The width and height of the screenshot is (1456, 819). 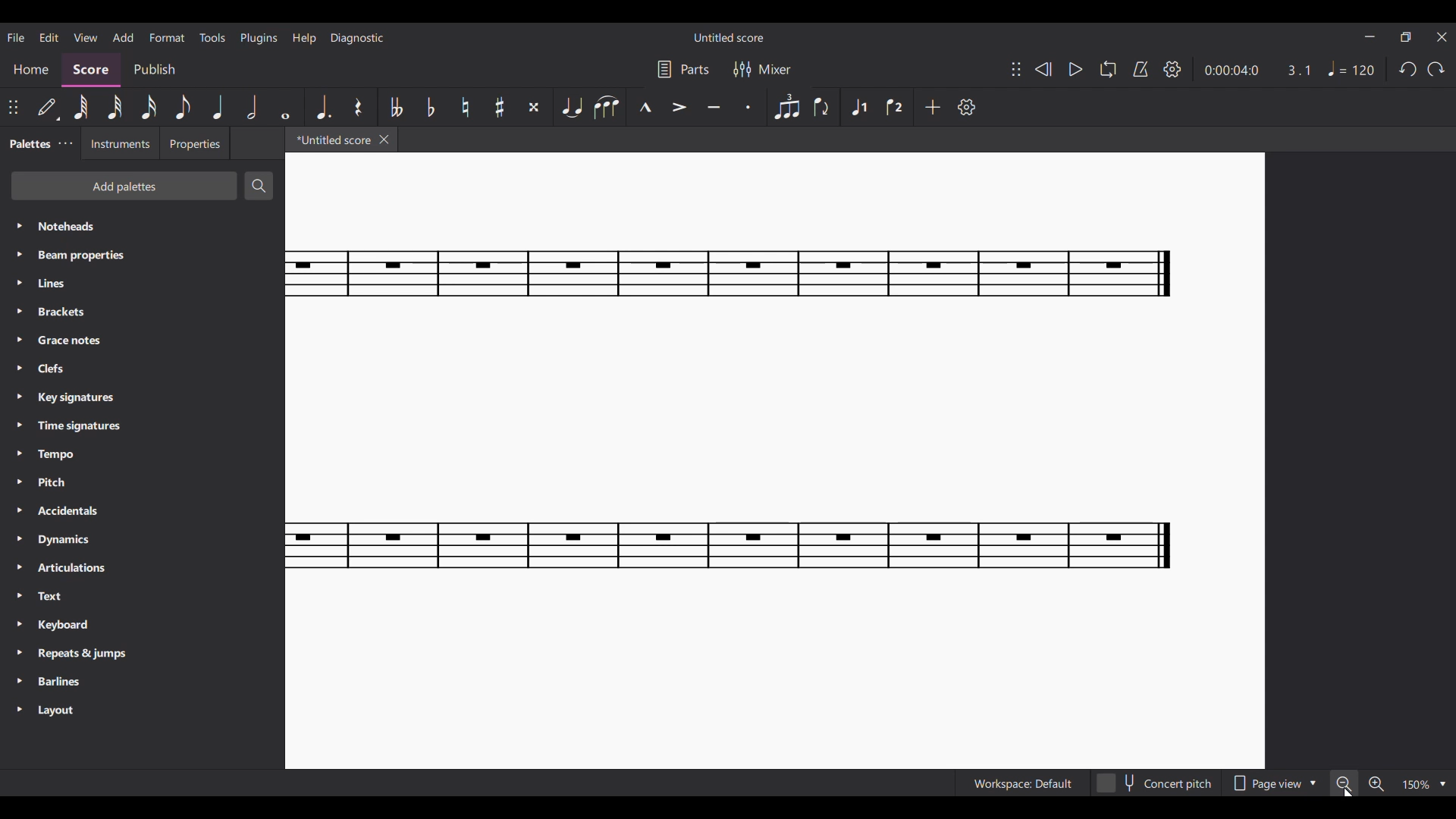 What do you see at coordinates (142, 454) in the screenshot?
I see `Tempo` at bounding box center [142, 454].